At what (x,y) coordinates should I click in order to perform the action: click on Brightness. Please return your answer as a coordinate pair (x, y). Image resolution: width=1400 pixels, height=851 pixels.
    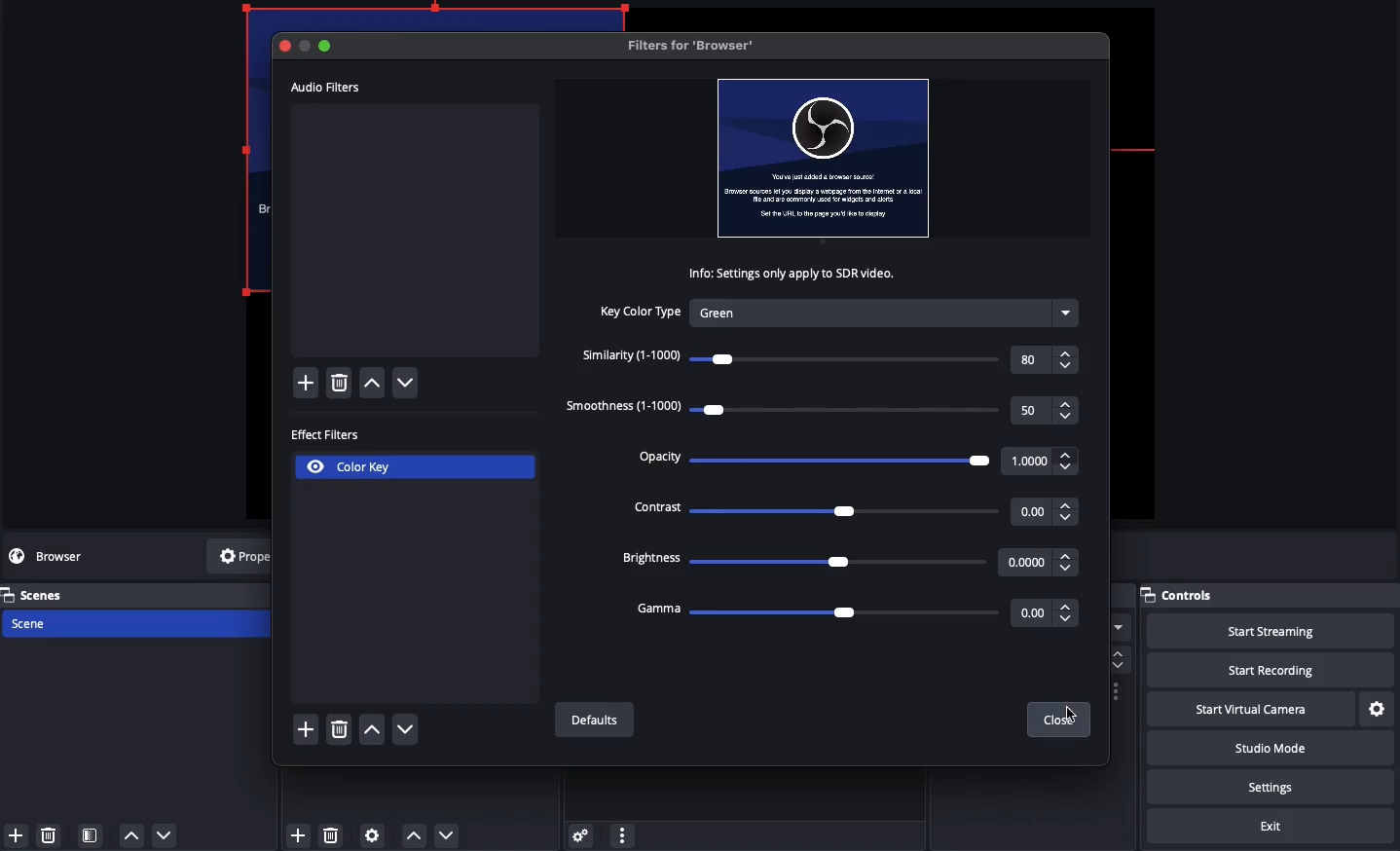
    Looking at the image, I should click on (843, 561).